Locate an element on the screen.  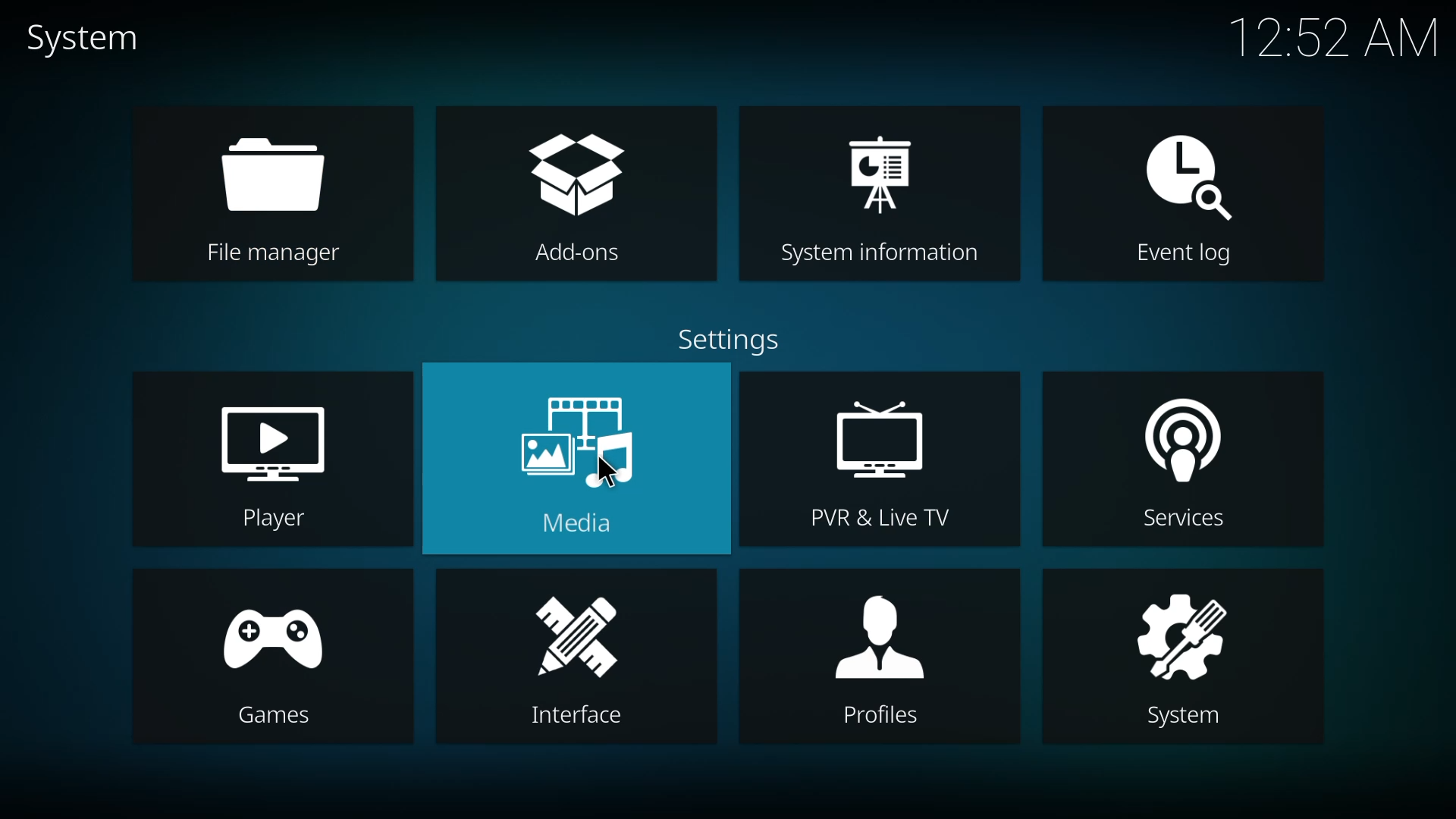
Services is located at coordinates (1181, 522).